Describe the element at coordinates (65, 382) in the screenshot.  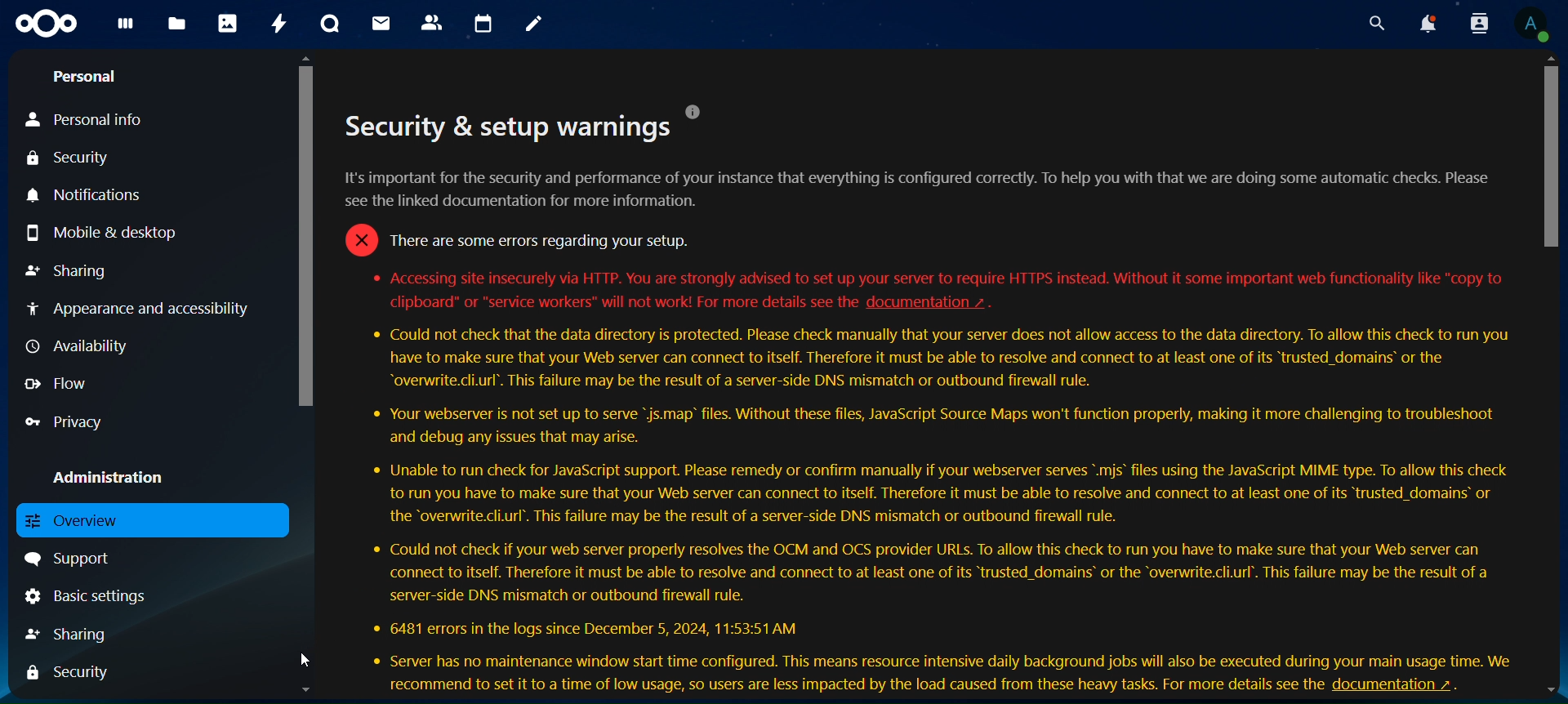
I see `flow` at that location.